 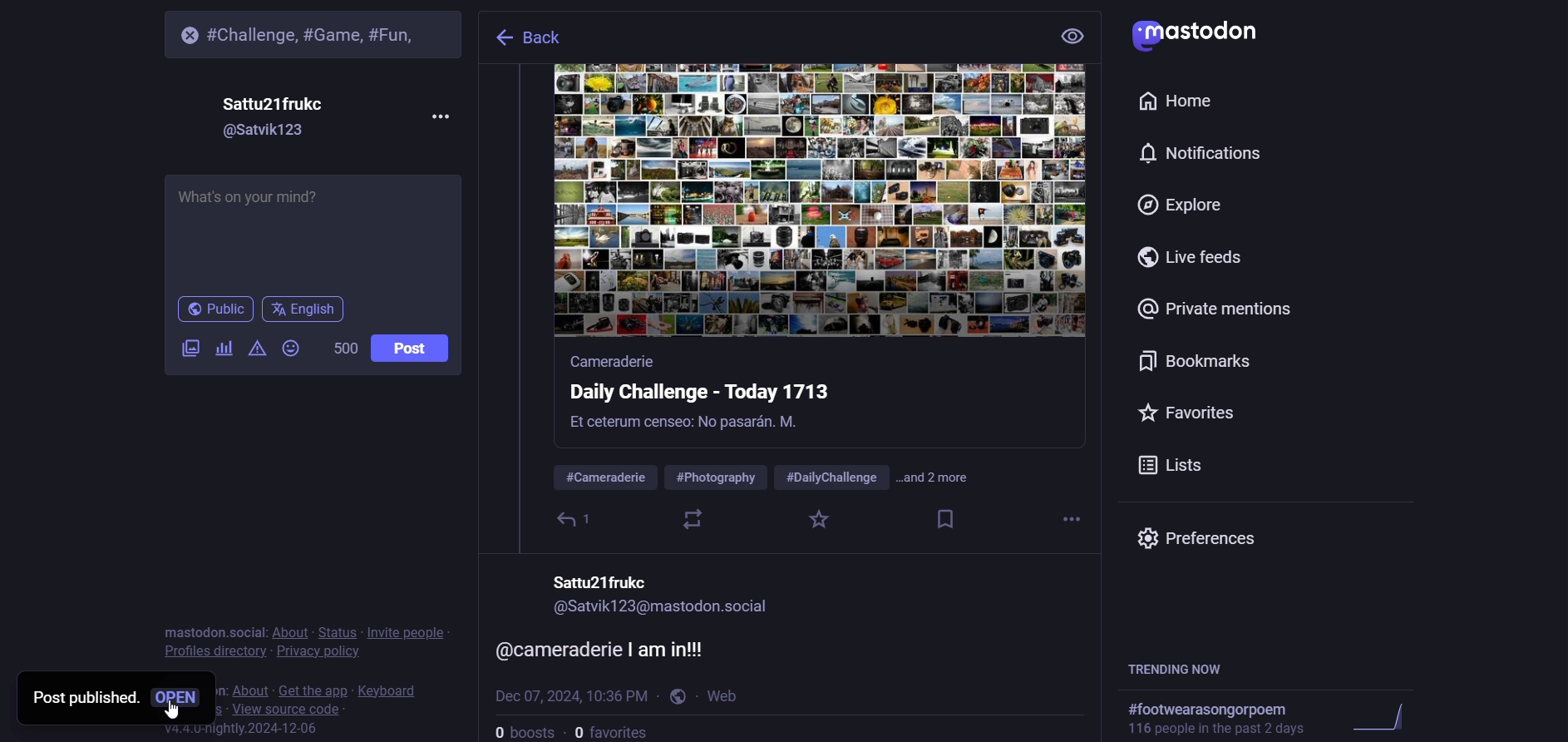 I want to click on Cameraderie
Daily Challenge - Today 1713
Et ceterum censeo: No pasaran. M., so click(x=713, y=397).